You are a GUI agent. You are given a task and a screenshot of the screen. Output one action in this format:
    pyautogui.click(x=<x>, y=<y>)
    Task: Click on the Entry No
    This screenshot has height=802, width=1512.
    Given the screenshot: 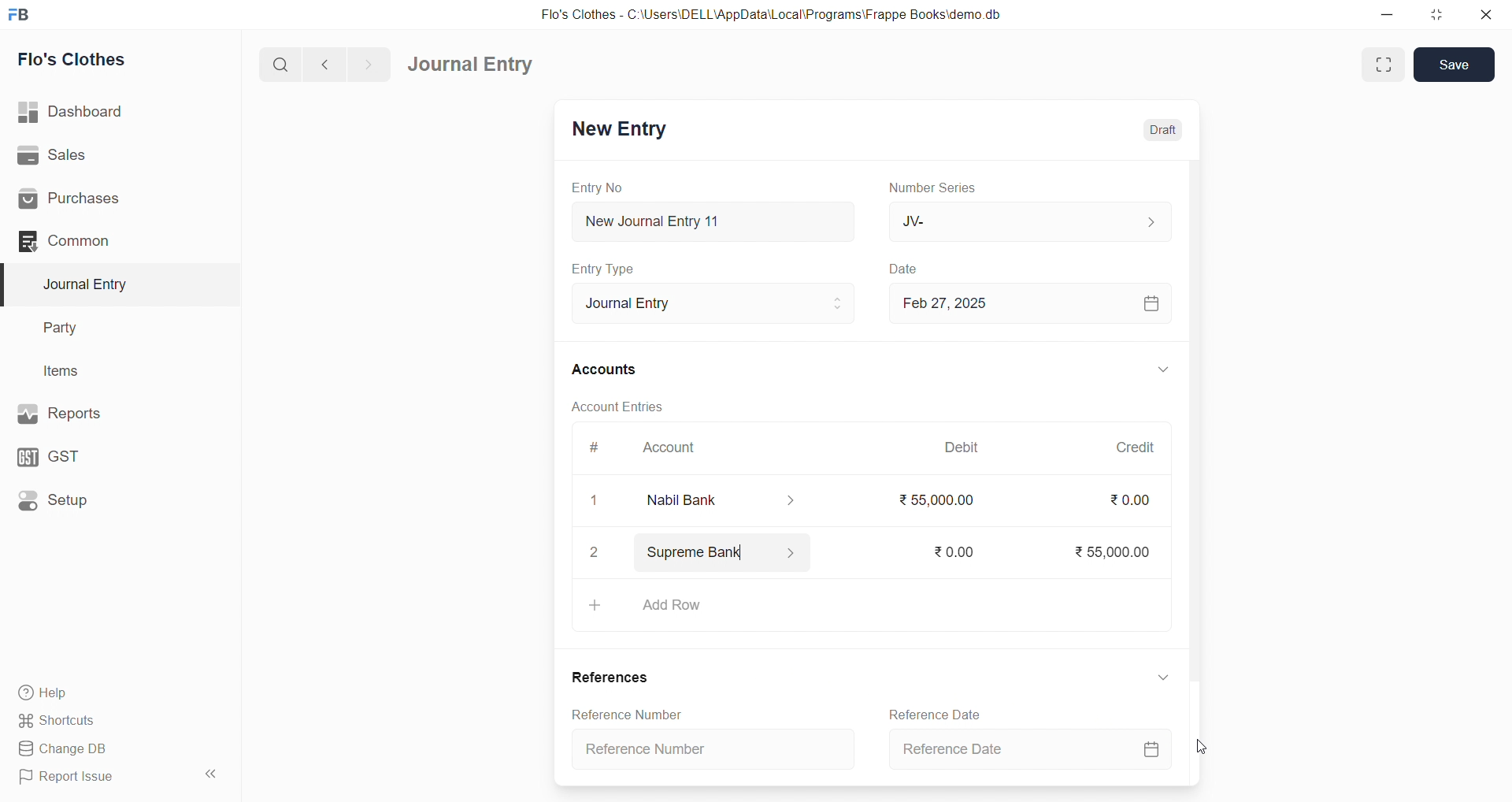 What is the action you would take?
    pyautogui.click(x=597, y=188)
    